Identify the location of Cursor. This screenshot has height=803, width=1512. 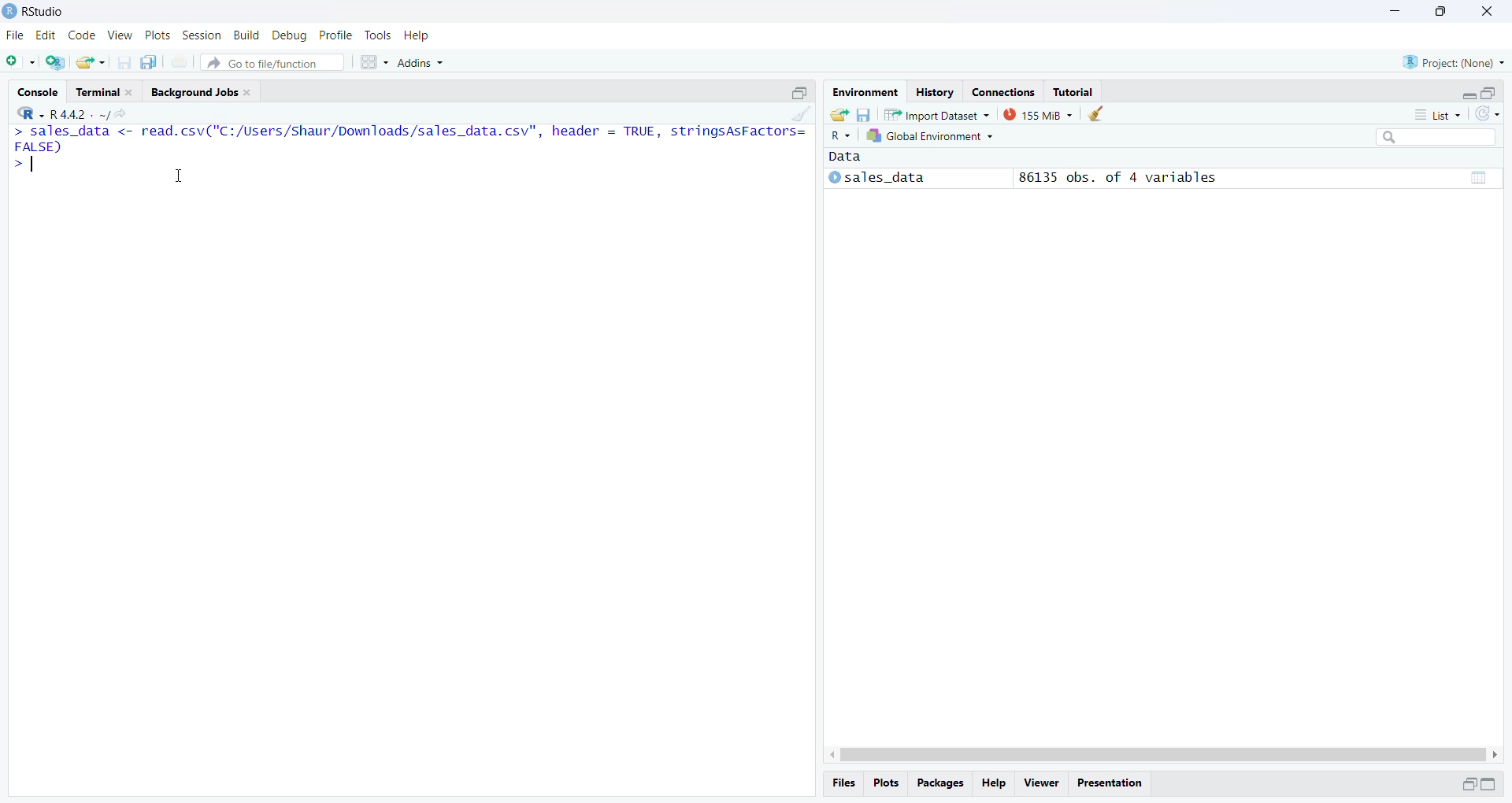
(181, 179).